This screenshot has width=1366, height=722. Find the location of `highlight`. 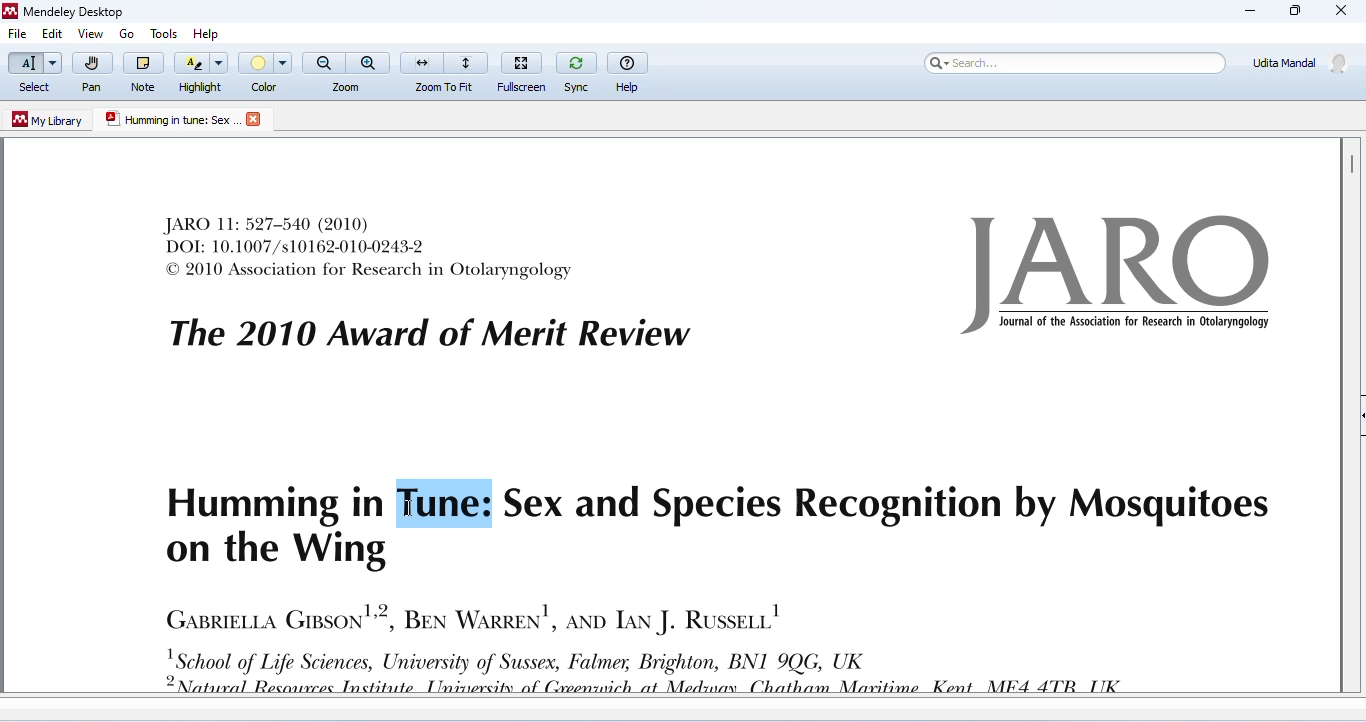

highlight is located at coordinates (202, 71).